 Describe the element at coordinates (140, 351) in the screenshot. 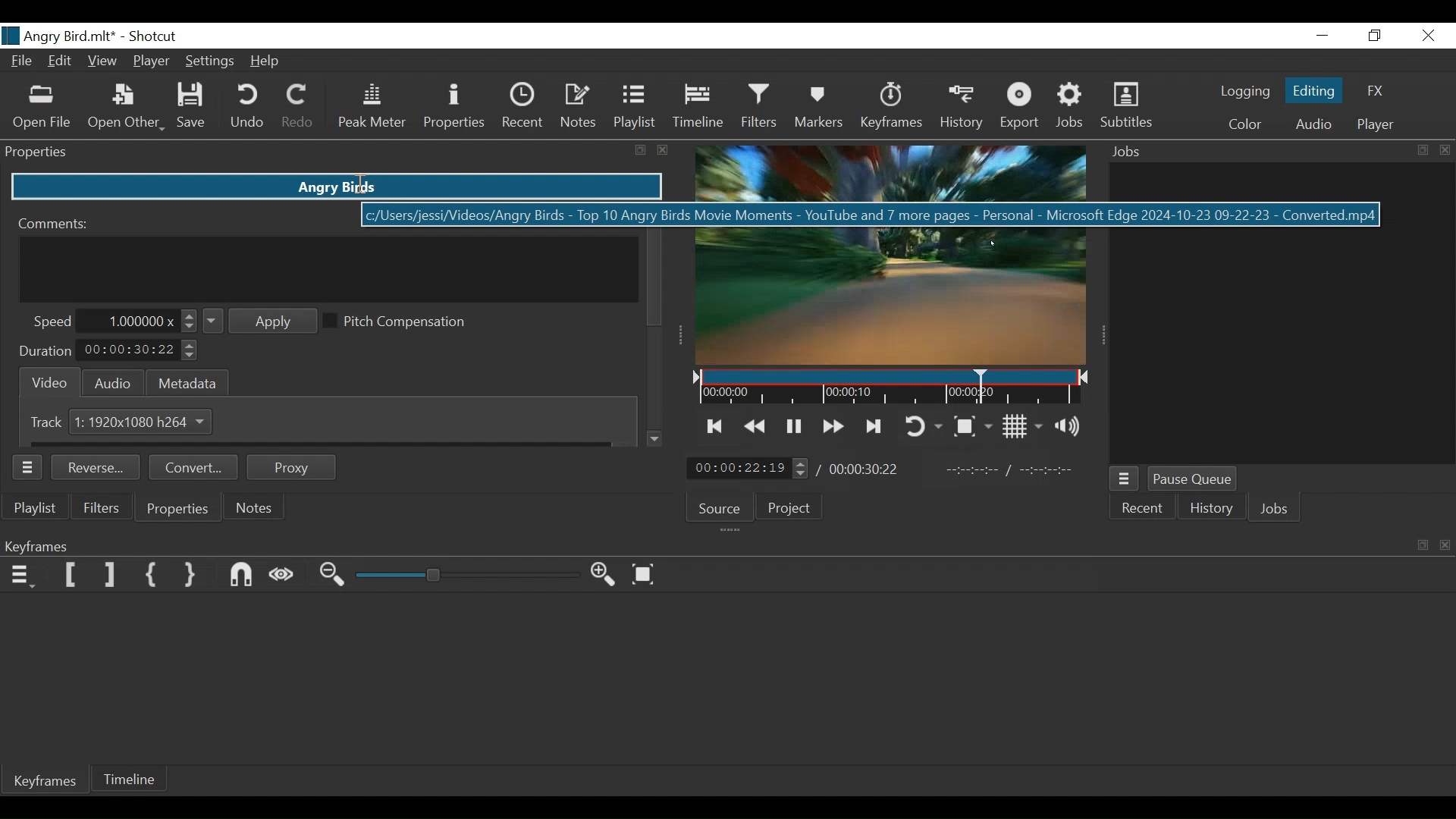

I see `Adjust Current Duration Field` at that location.